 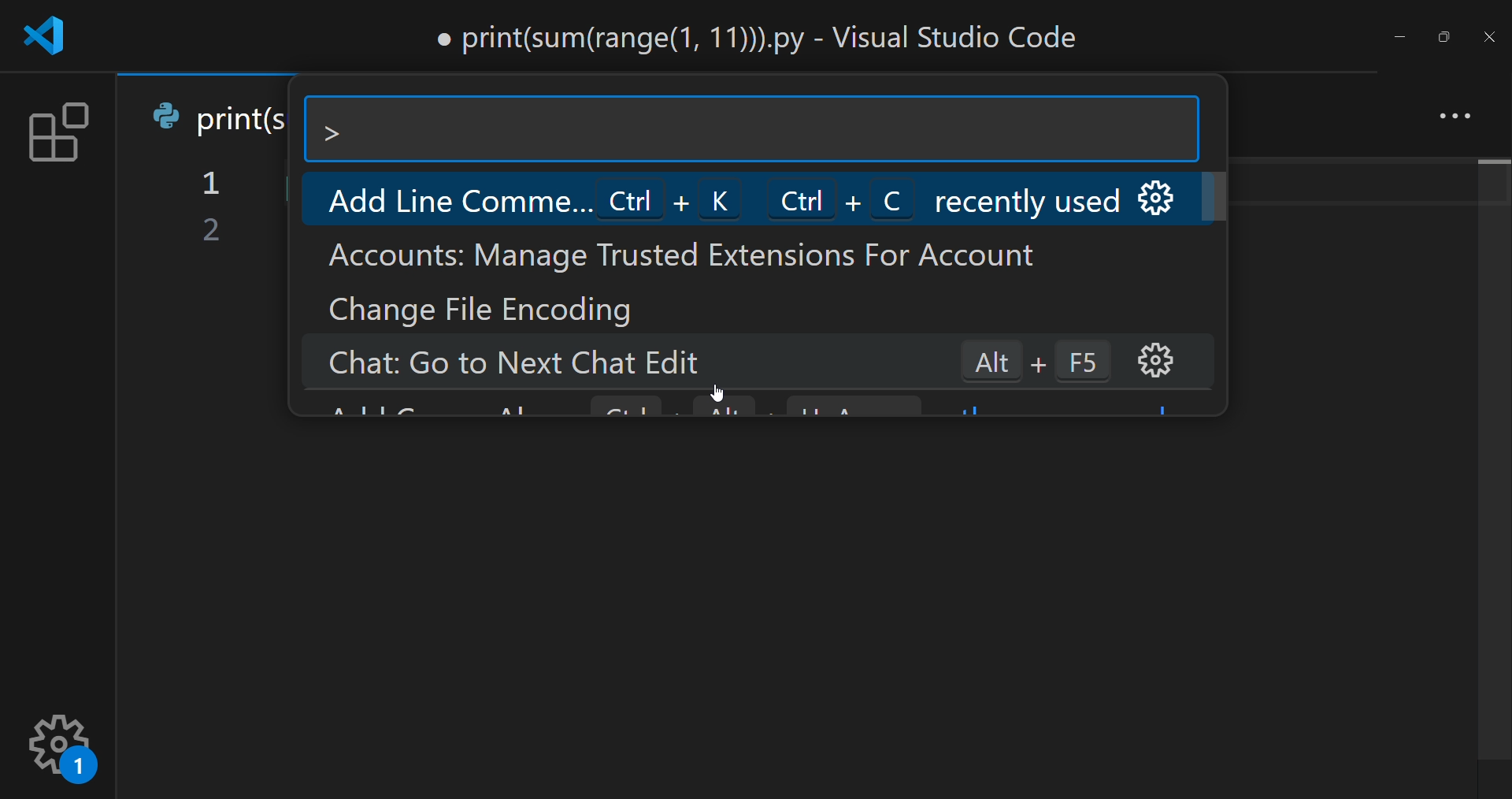 I want to click on setting, so click(x=64, y=745).